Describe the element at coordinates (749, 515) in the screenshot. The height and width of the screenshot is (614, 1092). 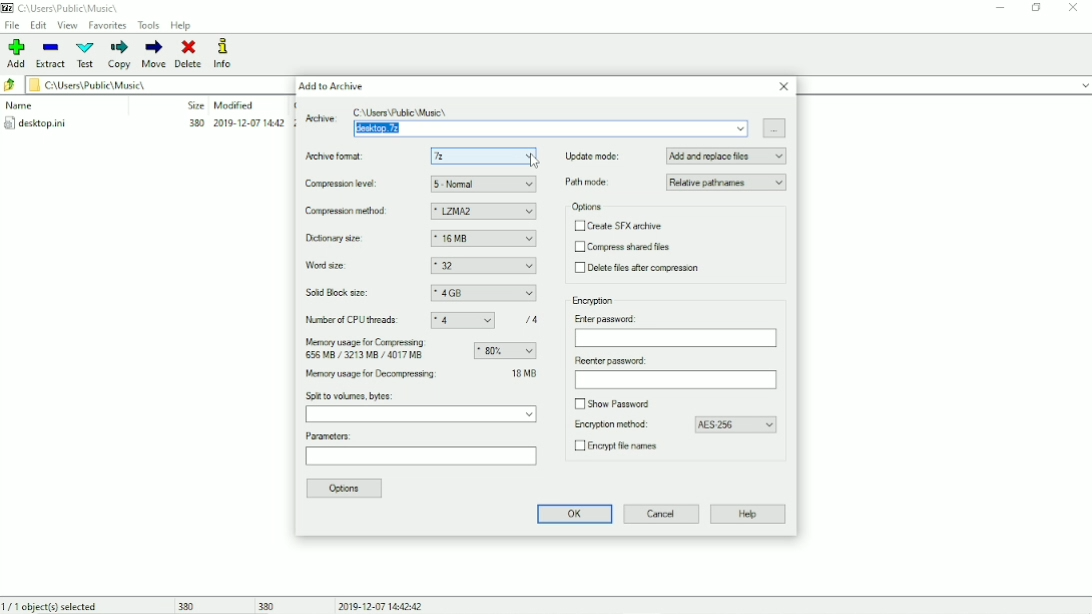
I see `Help` at that location.